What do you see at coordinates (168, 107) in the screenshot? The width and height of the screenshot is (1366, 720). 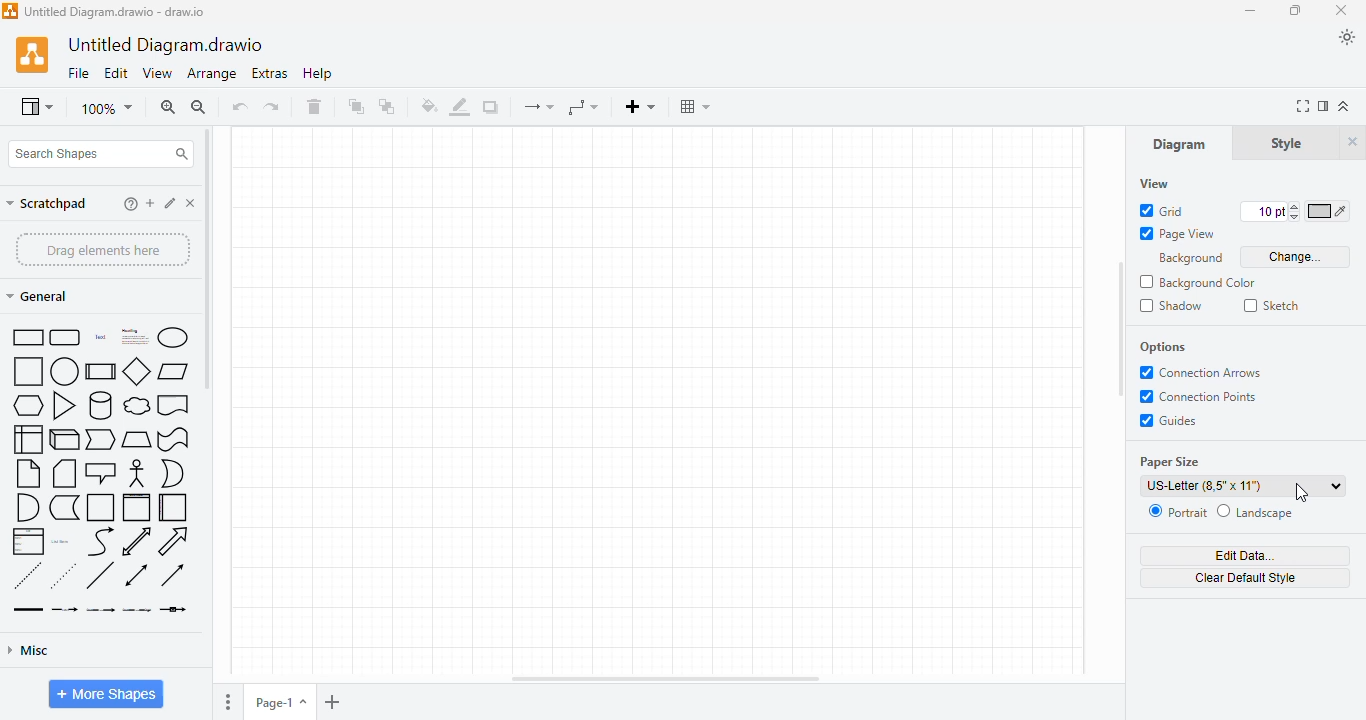 I see `zoom in` at bounding box center [168, 107].